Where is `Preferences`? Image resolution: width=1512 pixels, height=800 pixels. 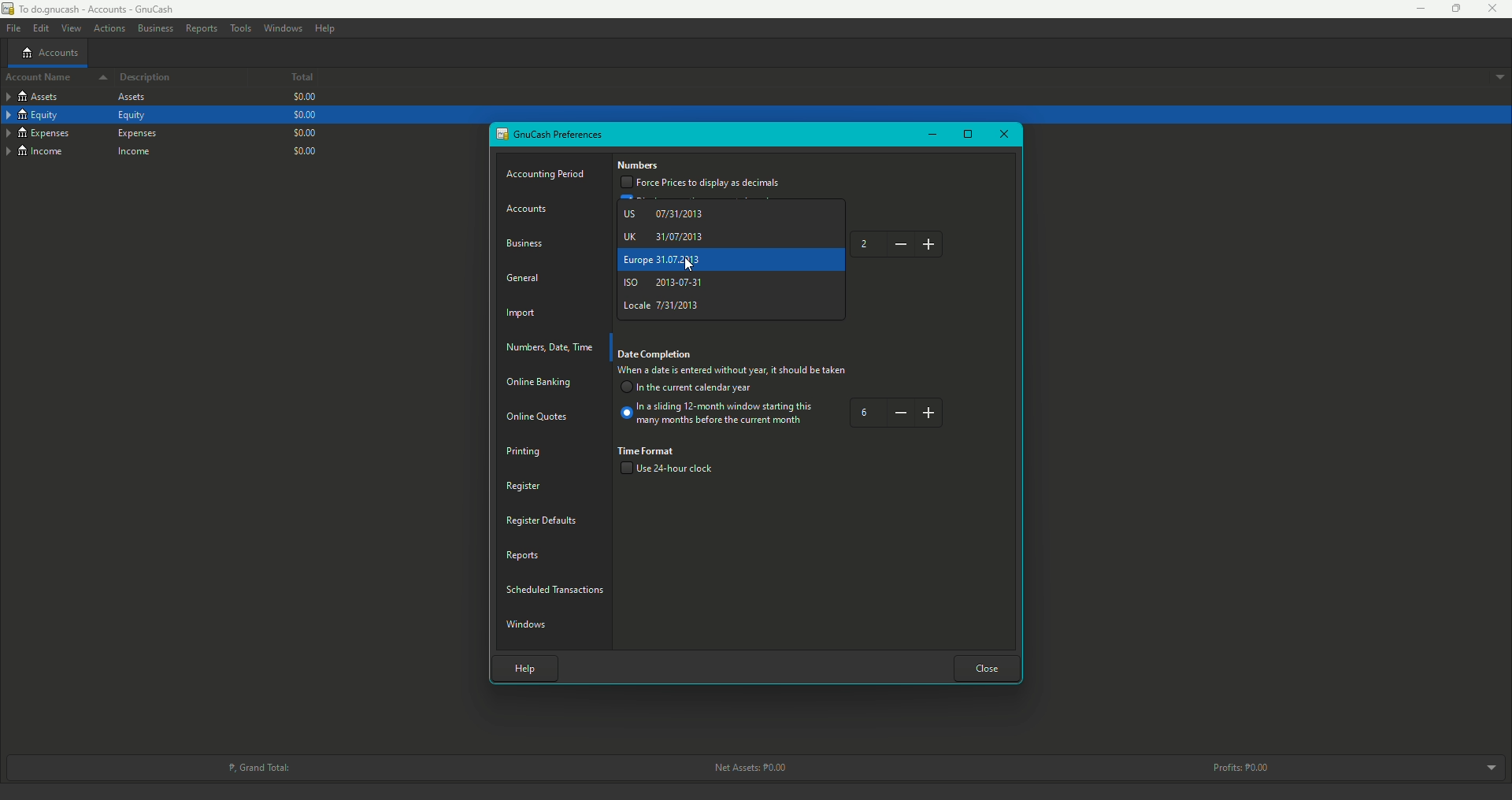 Preferences is located at coordinates (551, 135).